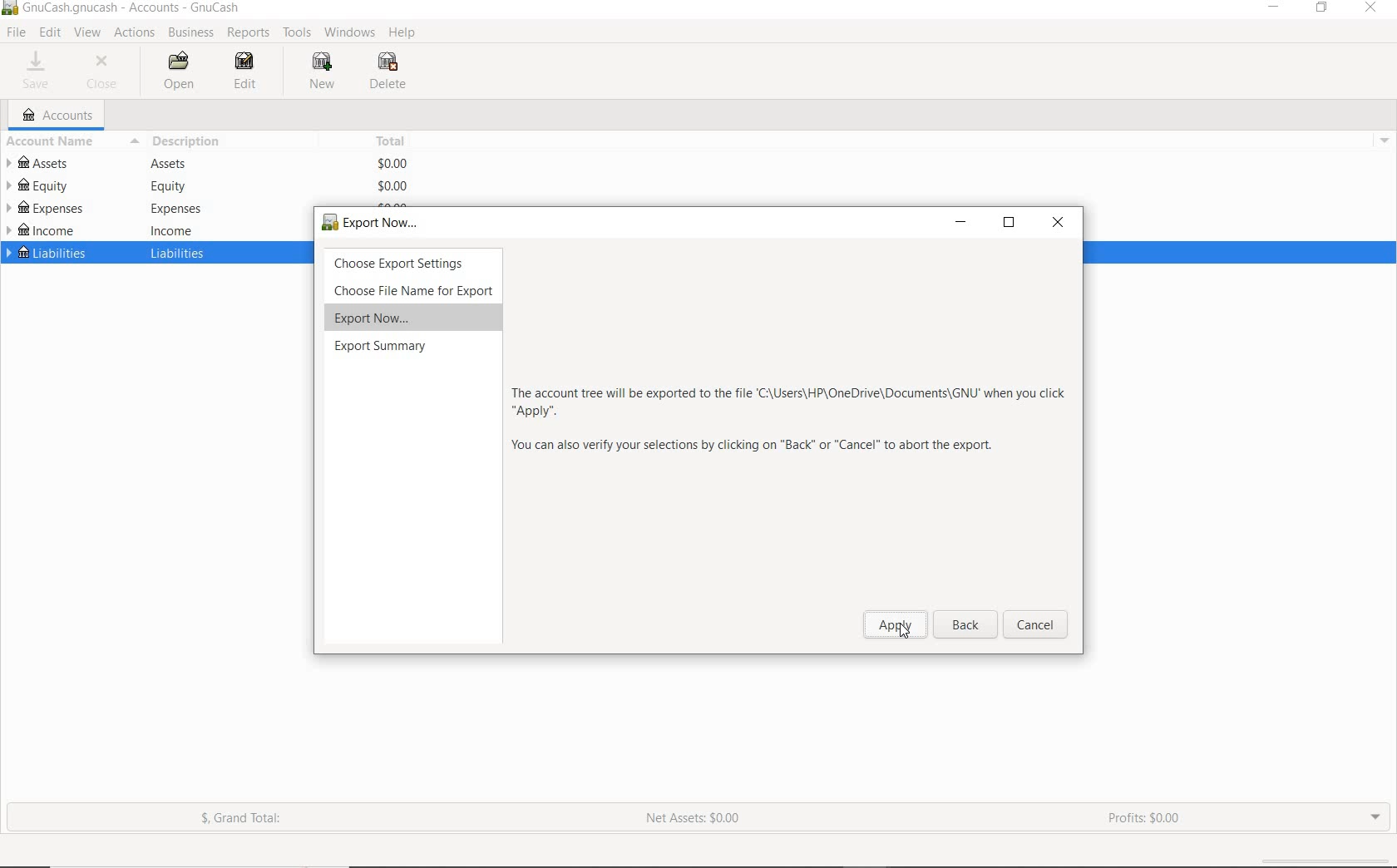 The image size is (1397, 868). Describe the element at coordinates (392, 162) in the screenshot. I see `$0.00` at that location.